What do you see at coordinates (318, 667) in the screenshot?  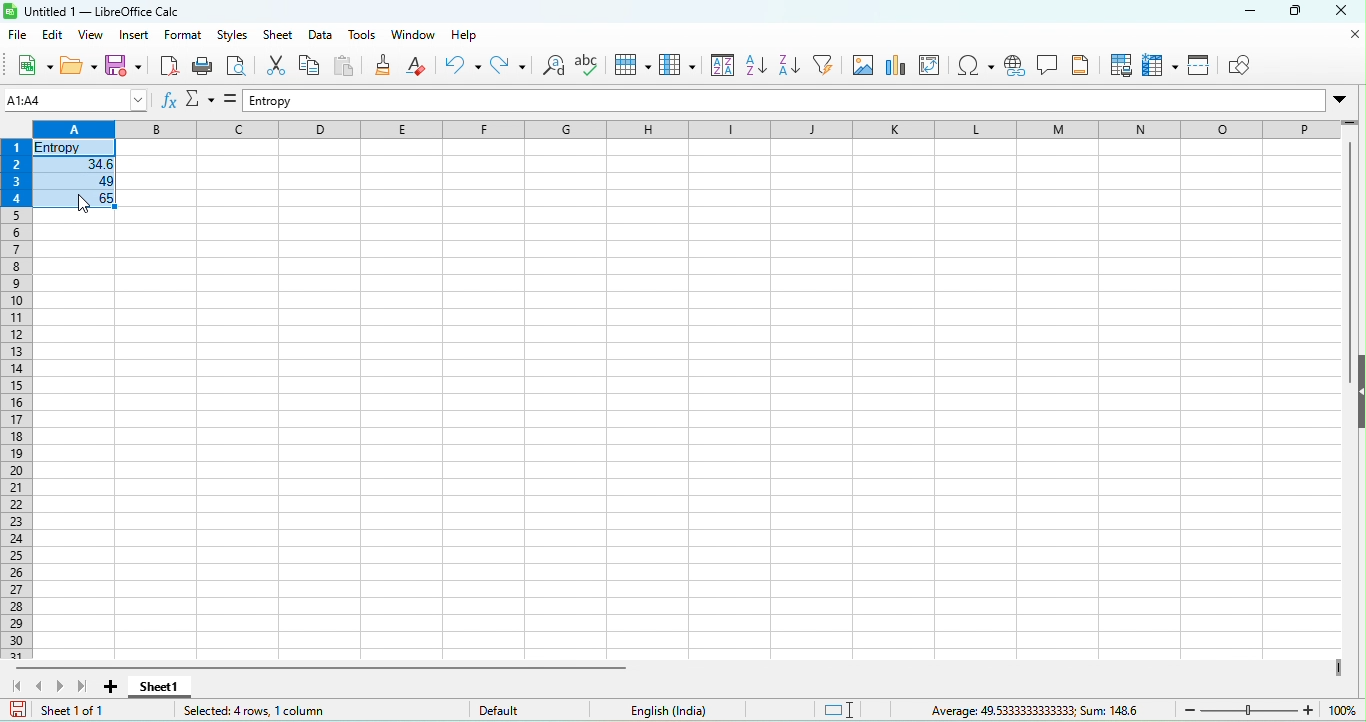 I see `horizontal scroll bar` at bounding box center [318, 667].